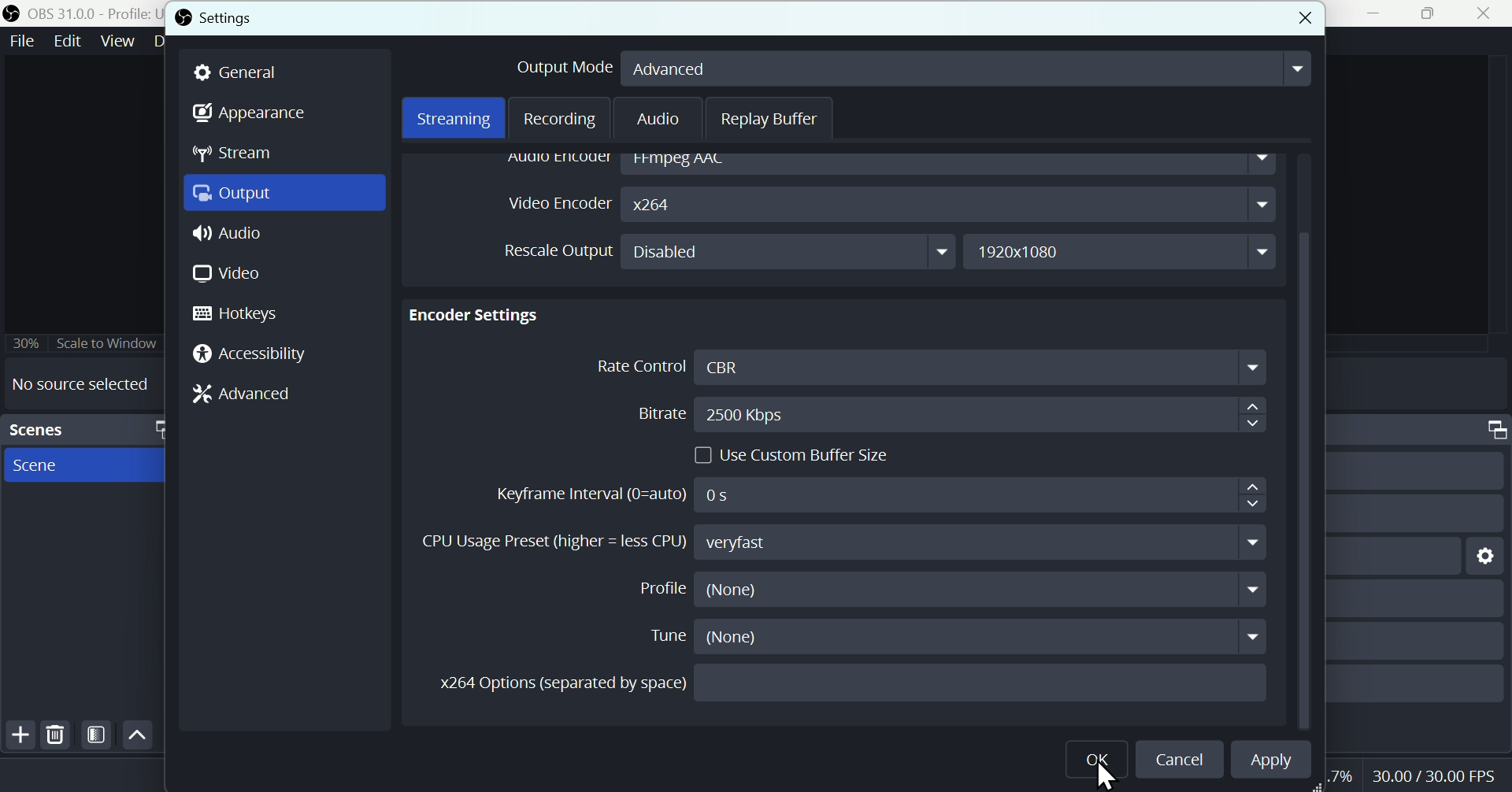 This screenshot has width=1512, height=792. I want to click on Appearance, so click(253, 112).